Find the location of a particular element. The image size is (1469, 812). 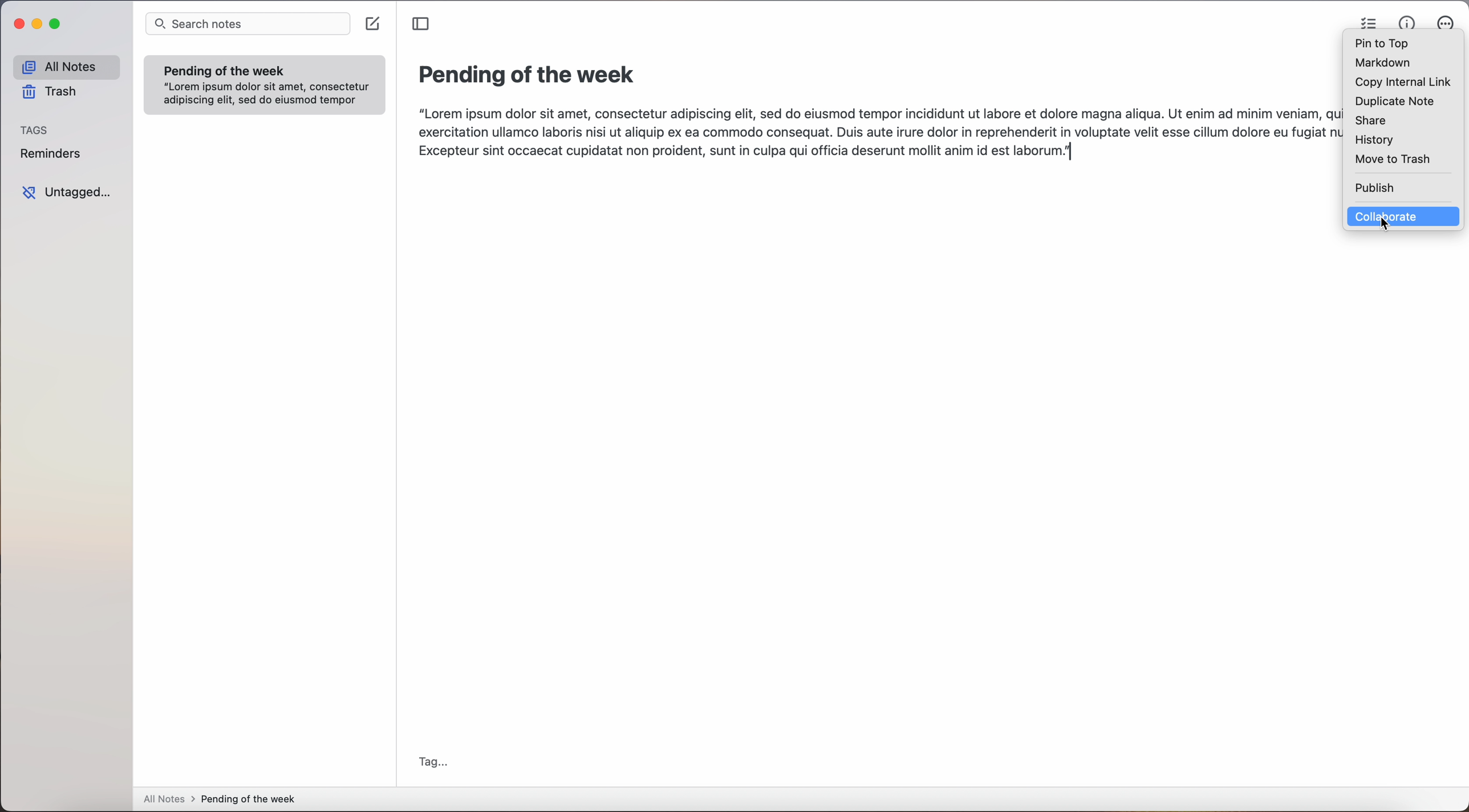

“Lorem ipsum dolor sit amet, consectetur adipiscing elit, sed do eiusmod tempor incididunt ut labore et dolore magna aliqua. Ut enim ad minim veniam, quis nostrud
exercitation ullamco laboris nisi ut aliquip ex ea commodo consequat. Duis aute irure dolor in reprehenderit in voluptate velit esse cillum dolore eu fugiat nulla pariatur.
Excepteur sint occaecat cupidatat non proident, sunt in culpa qui officia deserunt mollit anim id est laborum.]| is located at coordinates (874, 133).